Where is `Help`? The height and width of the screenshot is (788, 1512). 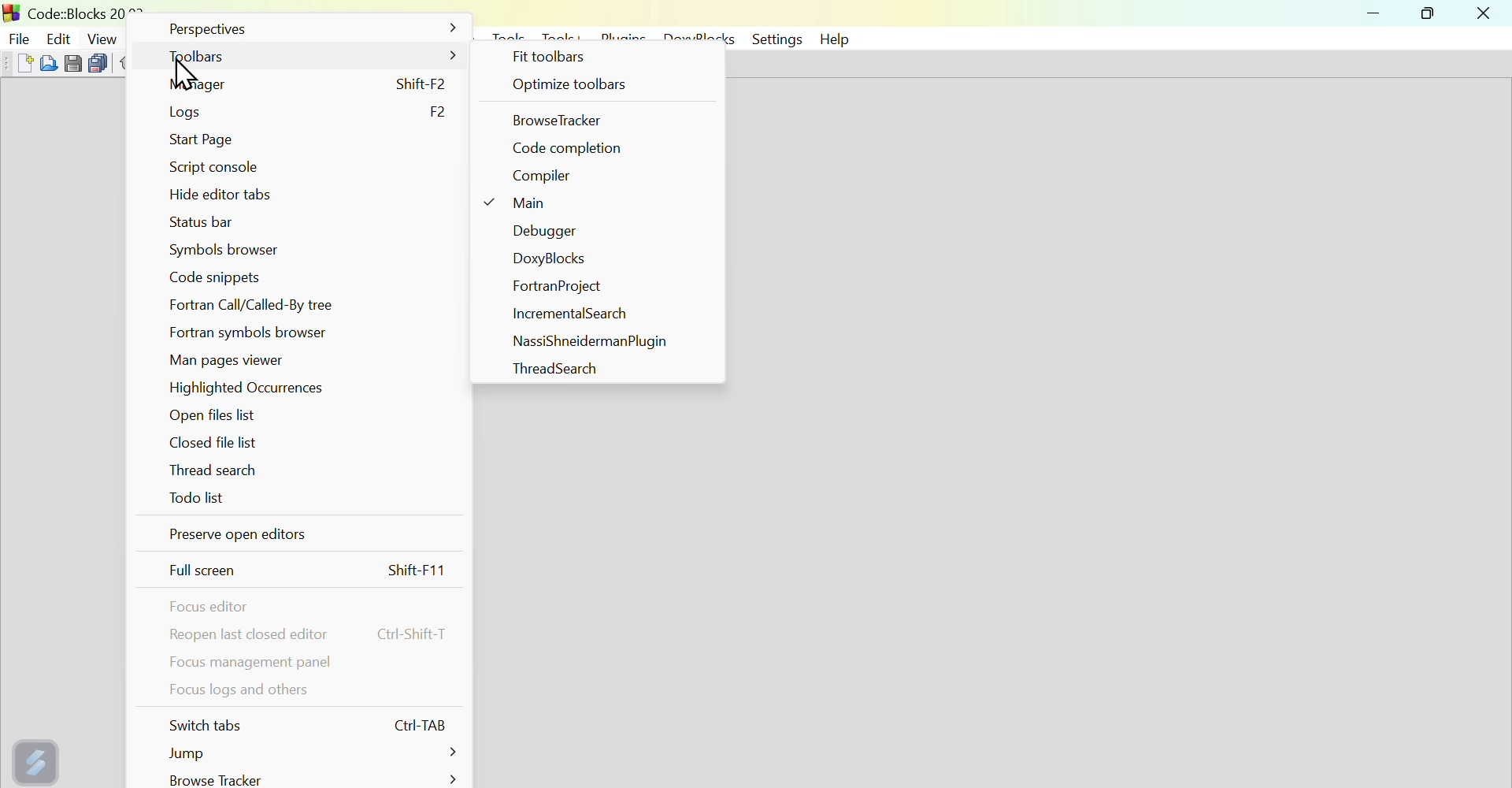 Help is located at coordinates (838, 39).